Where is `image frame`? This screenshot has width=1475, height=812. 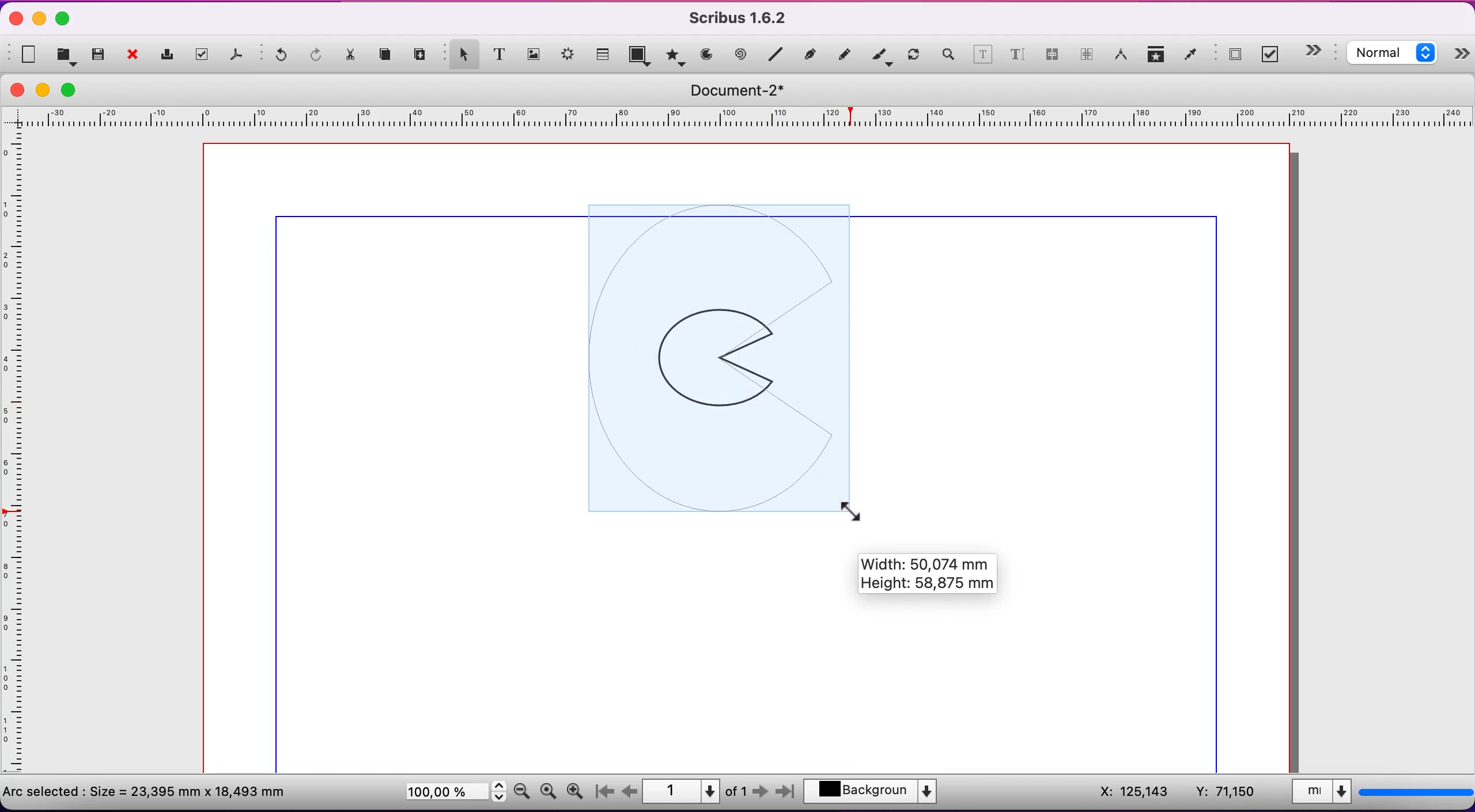
image frame is located at coordinates (534, 52).